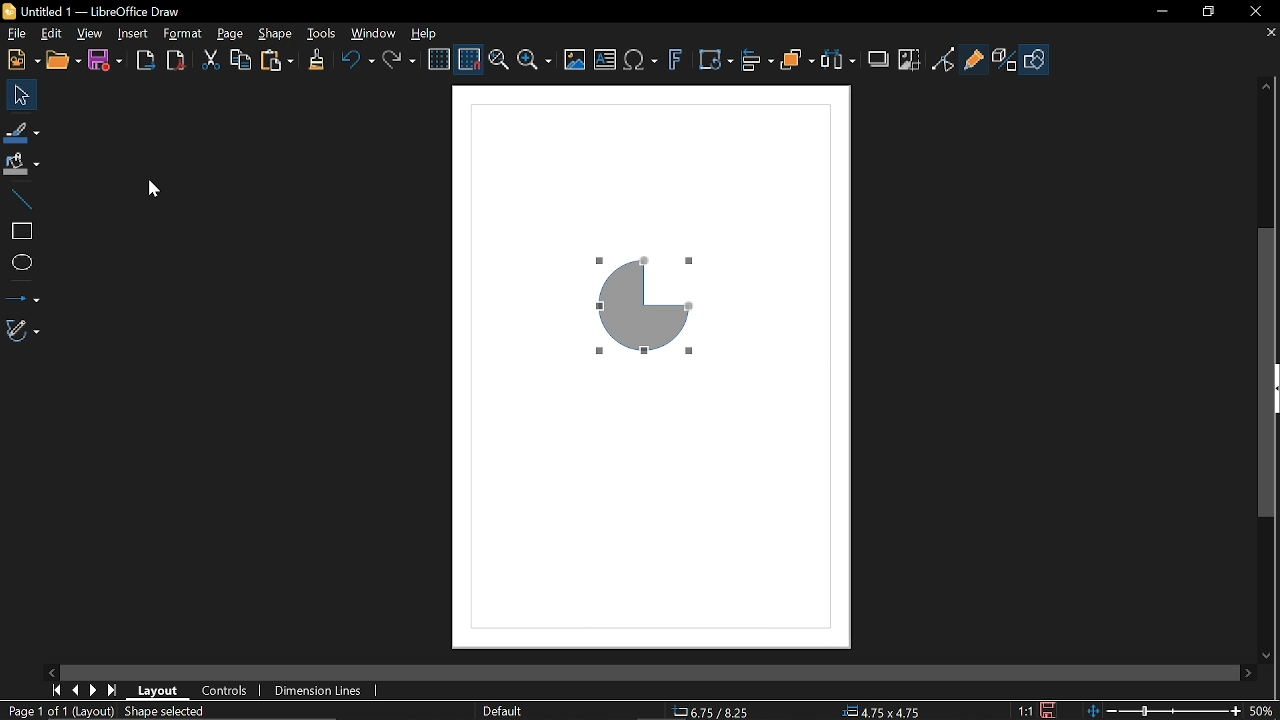  Describe the element at coordinates (173, 712) in the screenshot. I see `Shape selected` at that location.